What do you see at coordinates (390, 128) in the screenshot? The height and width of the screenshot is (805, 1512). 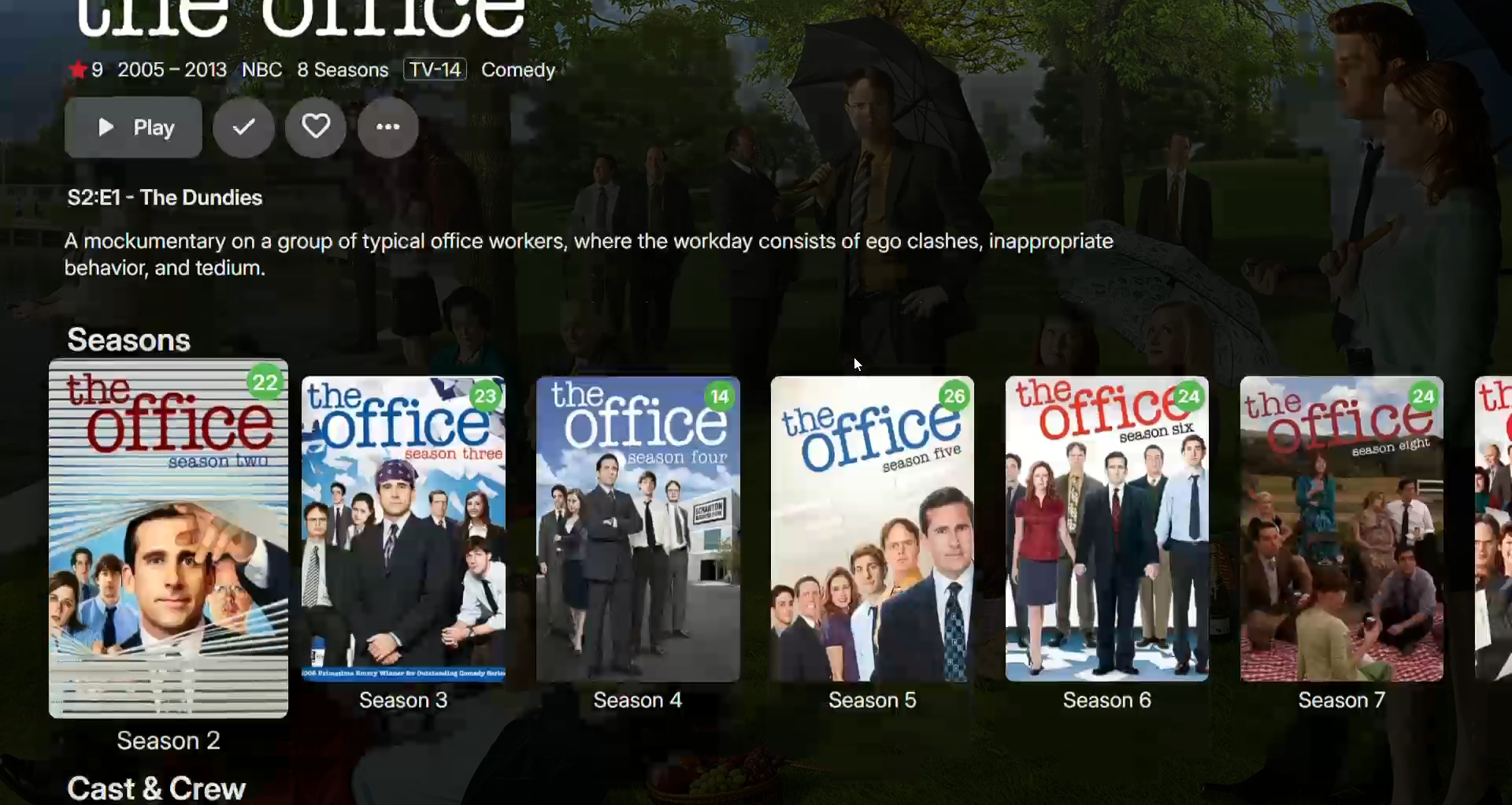 I see `More Options` at bounding box center [390, 128].